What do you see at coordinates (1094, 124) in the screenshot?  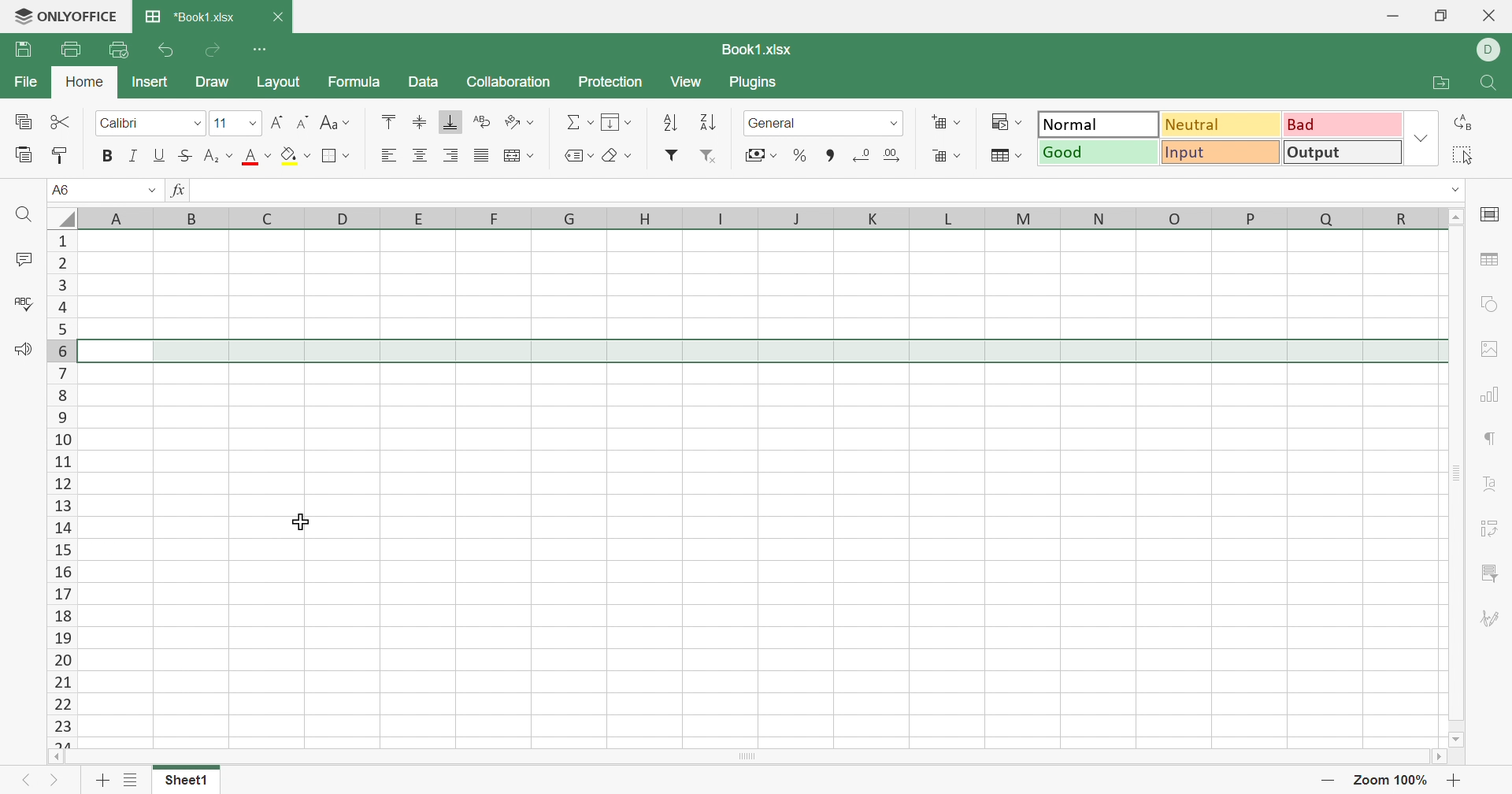 I see `Normal` at bounding box center [1094, 124].